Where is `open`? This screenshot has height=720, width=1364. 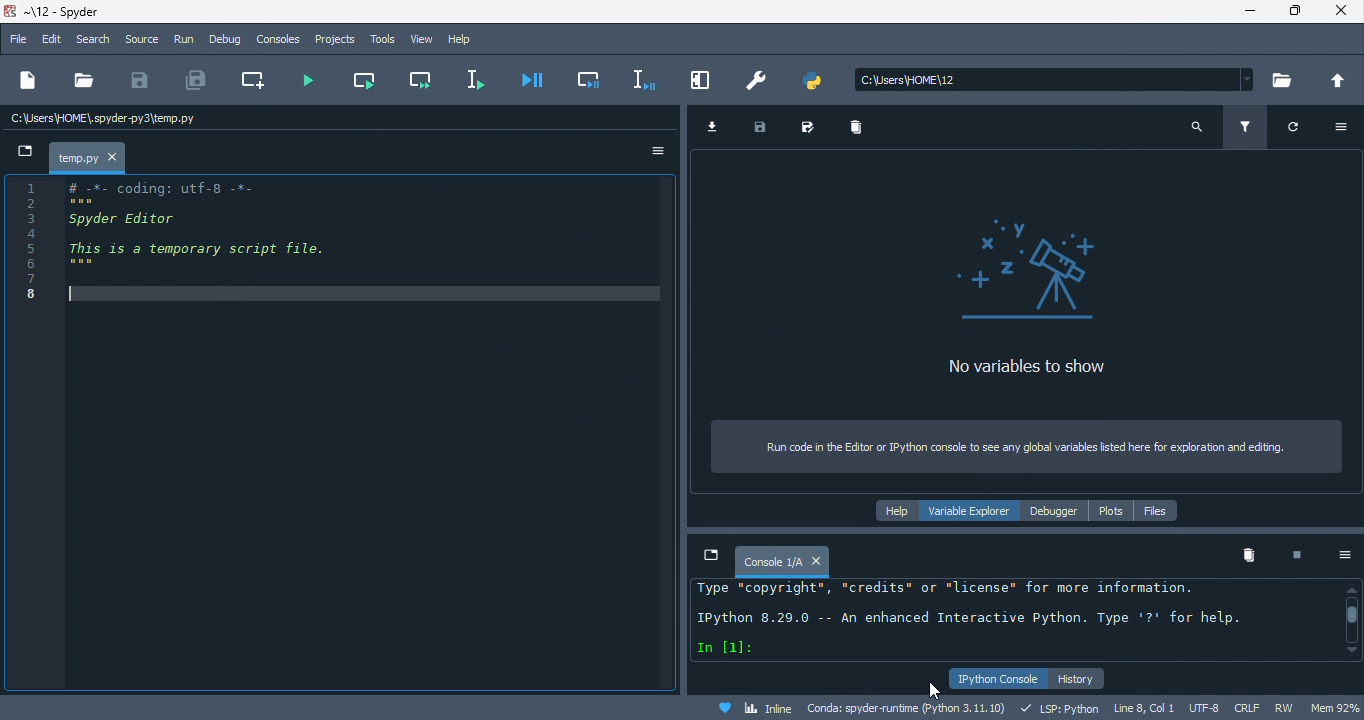
open is located at coordinates (83, 81).